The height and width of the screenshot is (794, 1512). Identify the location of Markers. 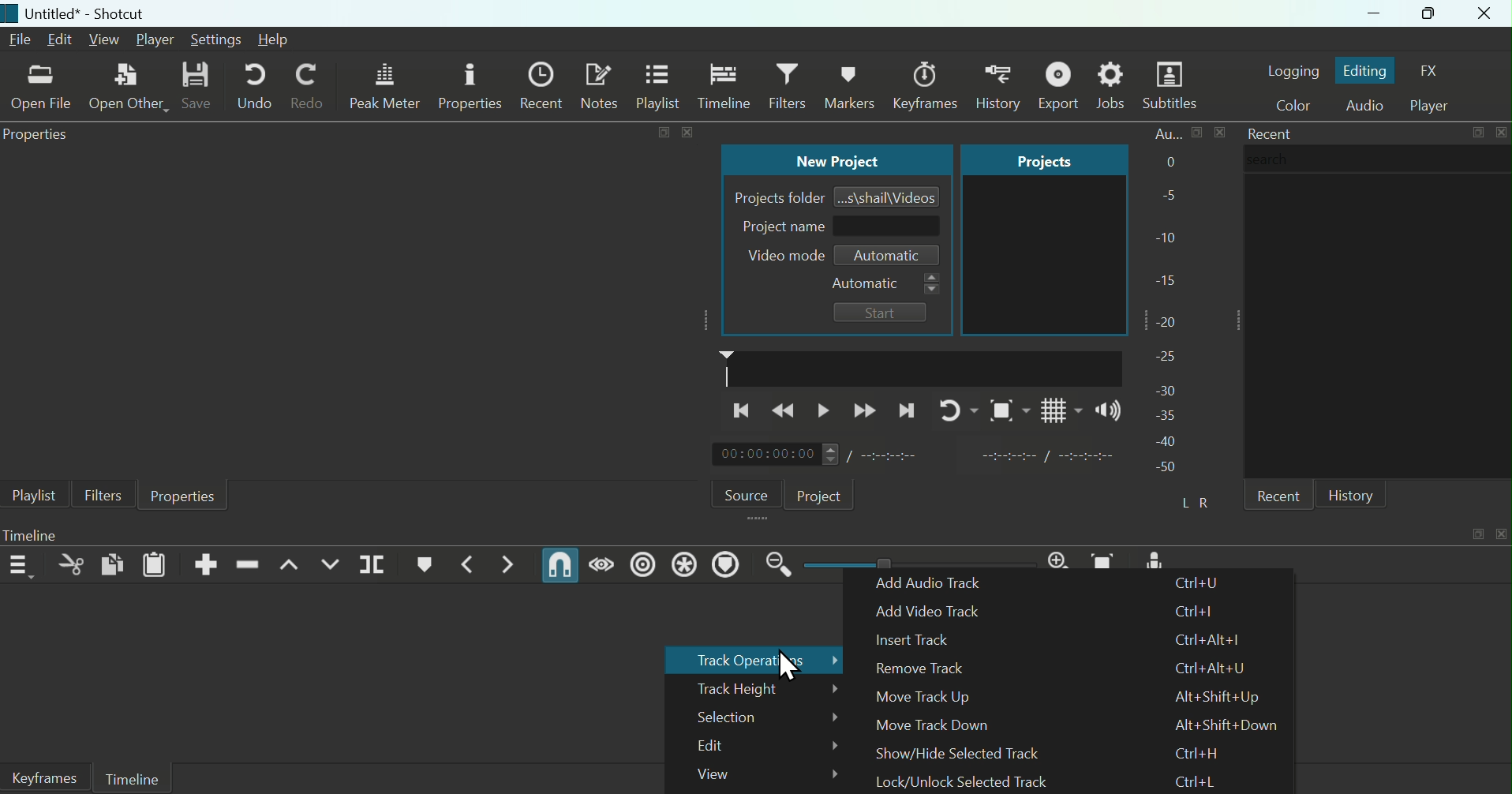
(926, 79).